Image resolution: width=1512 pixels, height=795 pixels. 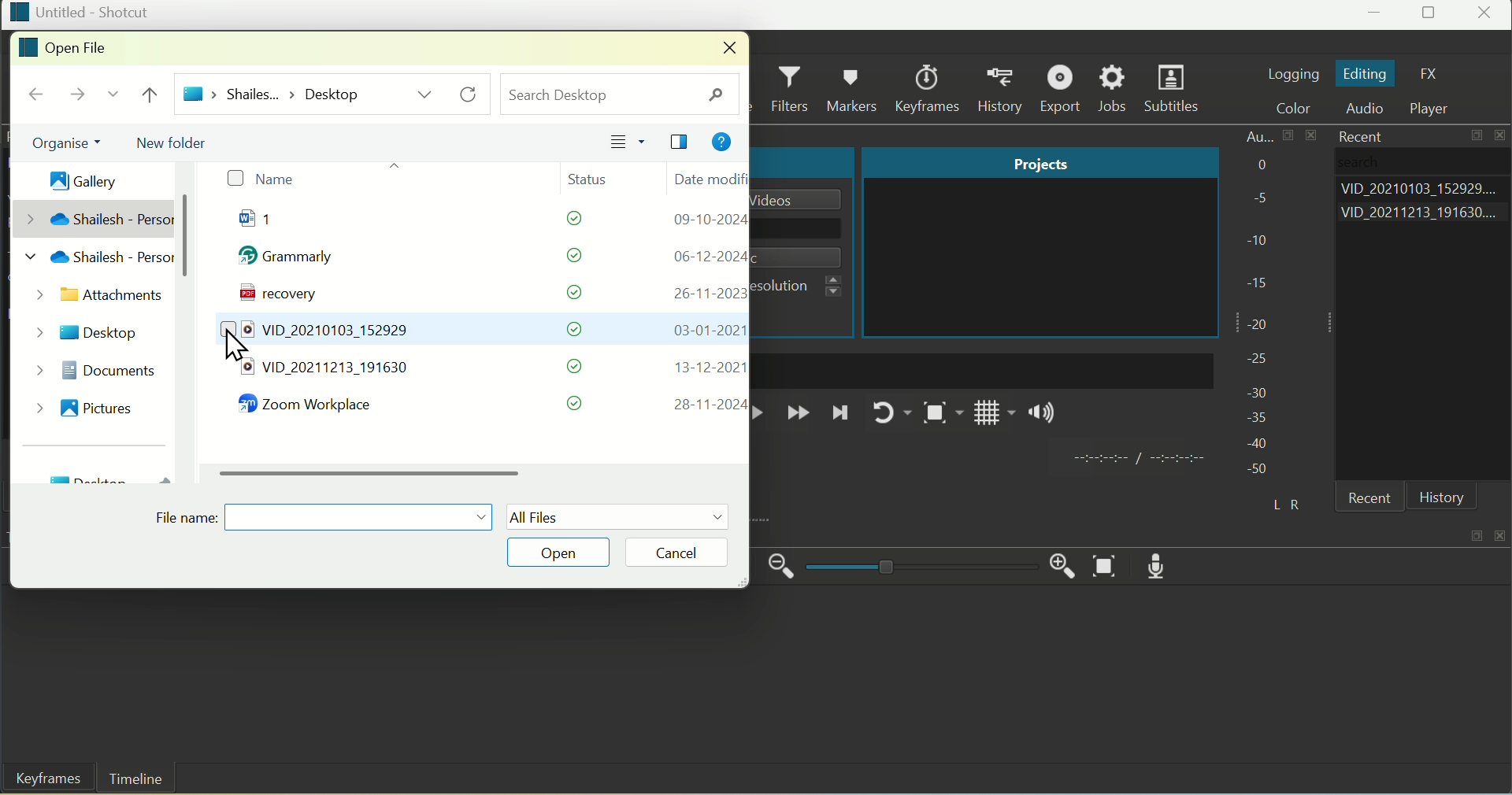 What do you see at coordinates (80, 12) in the screenshot?
I see `Untitled - shortcut` at bounding box center [80, 12].